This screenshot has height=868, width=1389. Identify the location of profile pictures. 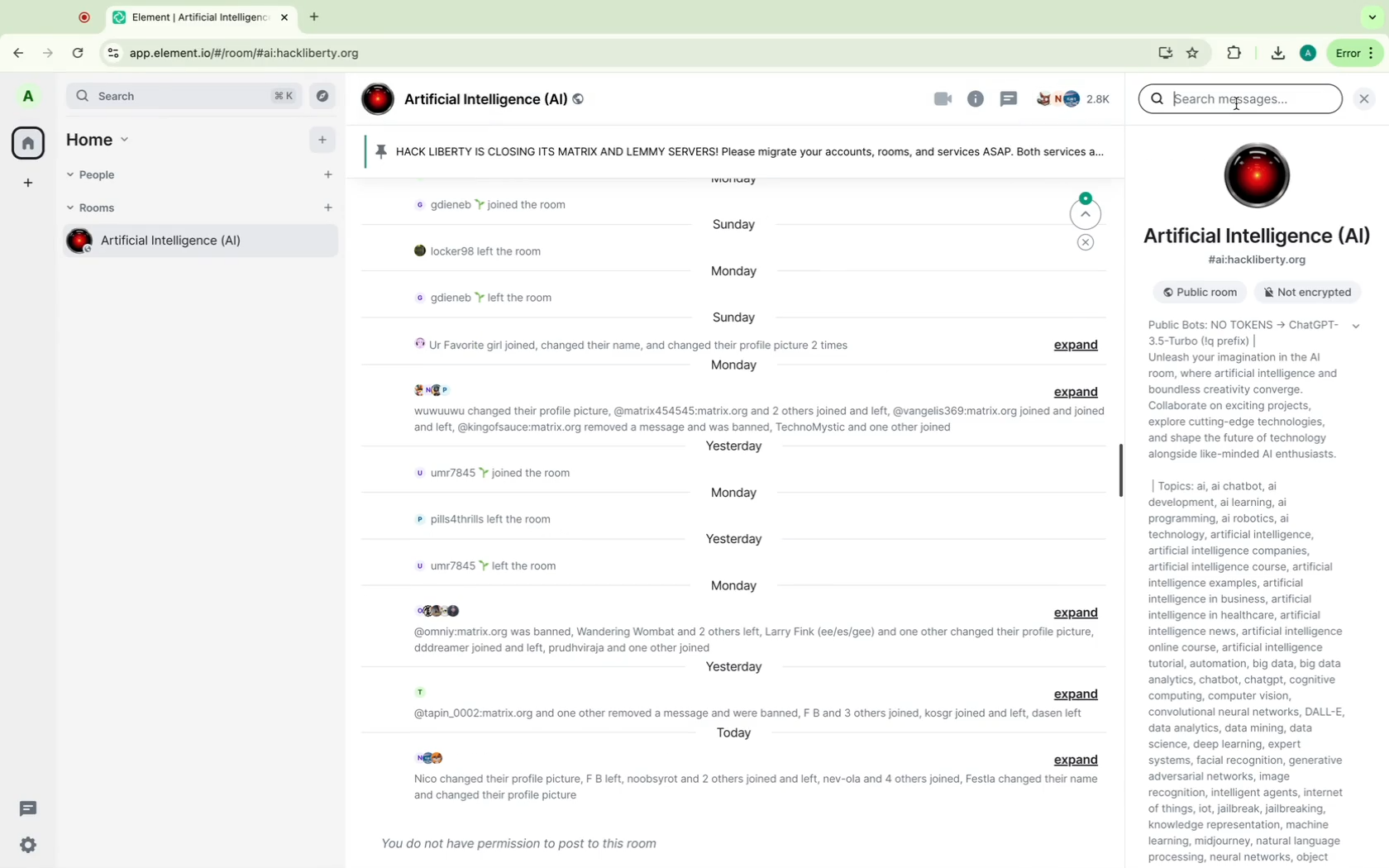
(431, 757).